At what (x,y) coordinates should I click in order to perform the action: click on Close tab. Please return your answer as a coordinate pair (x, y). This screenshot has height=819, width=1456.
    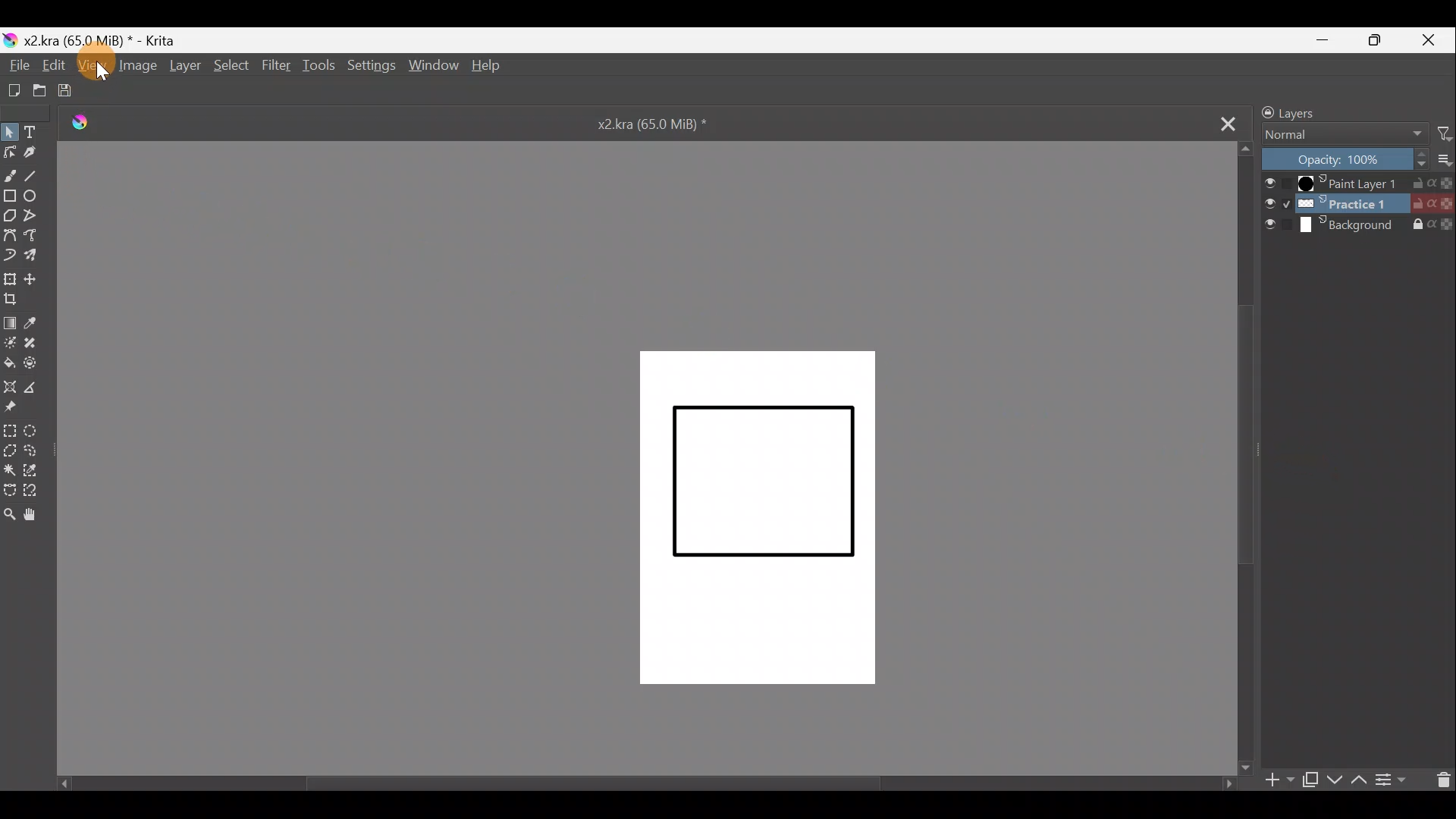
    Looking at the image, I should click on (1217, 122).